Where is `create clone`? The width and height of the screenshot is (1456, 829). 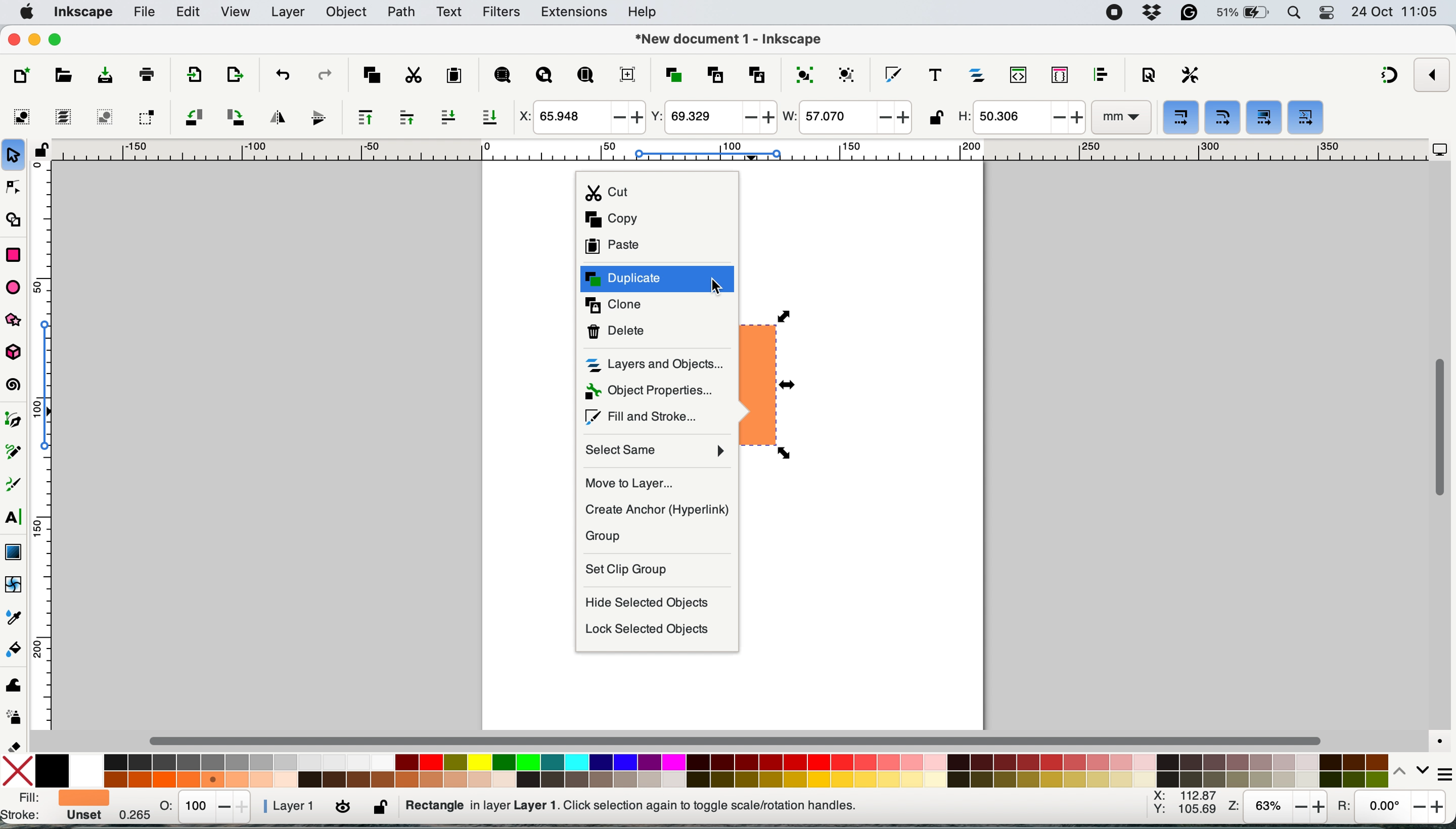
create clone is located at coordinates (713, 75).